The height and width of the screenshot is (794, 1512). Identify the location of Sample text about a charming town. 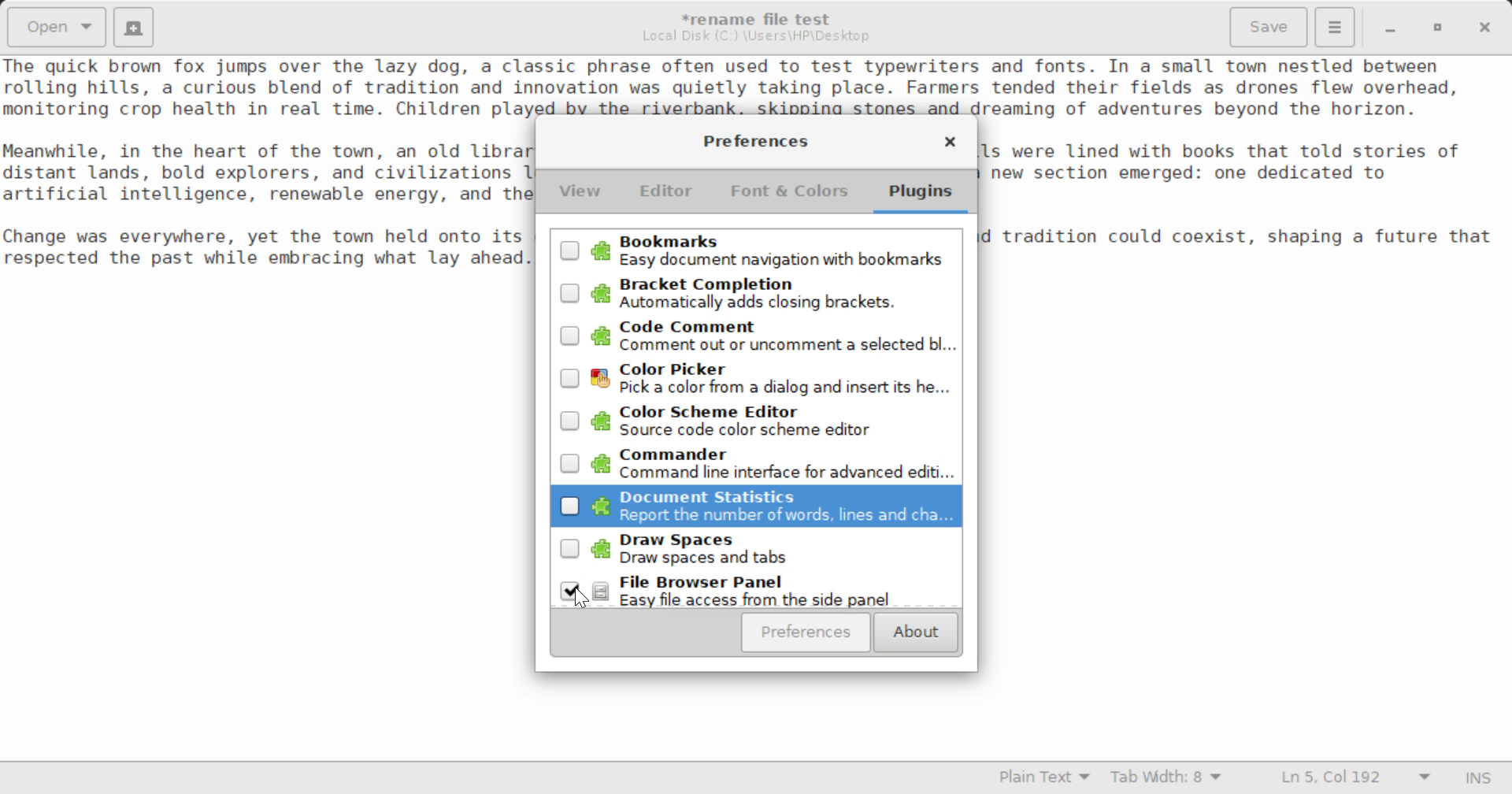
(756, 86).